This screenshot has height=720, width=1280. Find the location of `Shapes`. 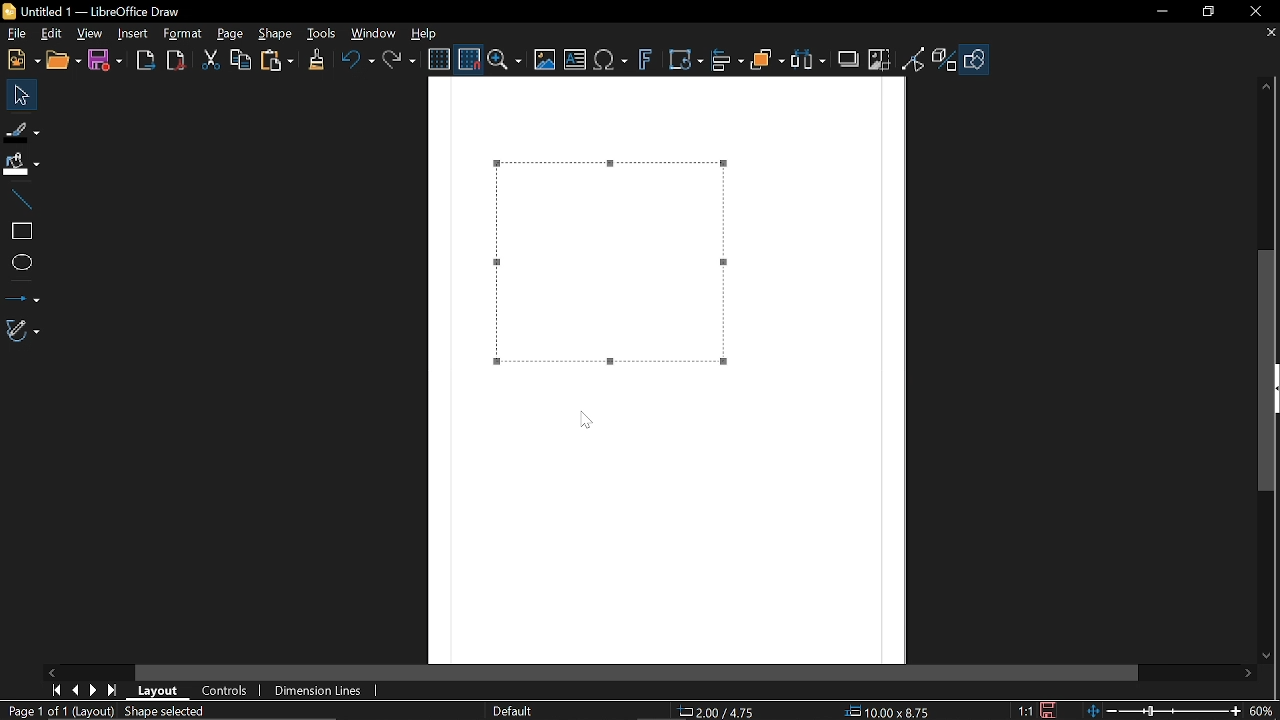

Shapes is located at coordinates (974, 61).